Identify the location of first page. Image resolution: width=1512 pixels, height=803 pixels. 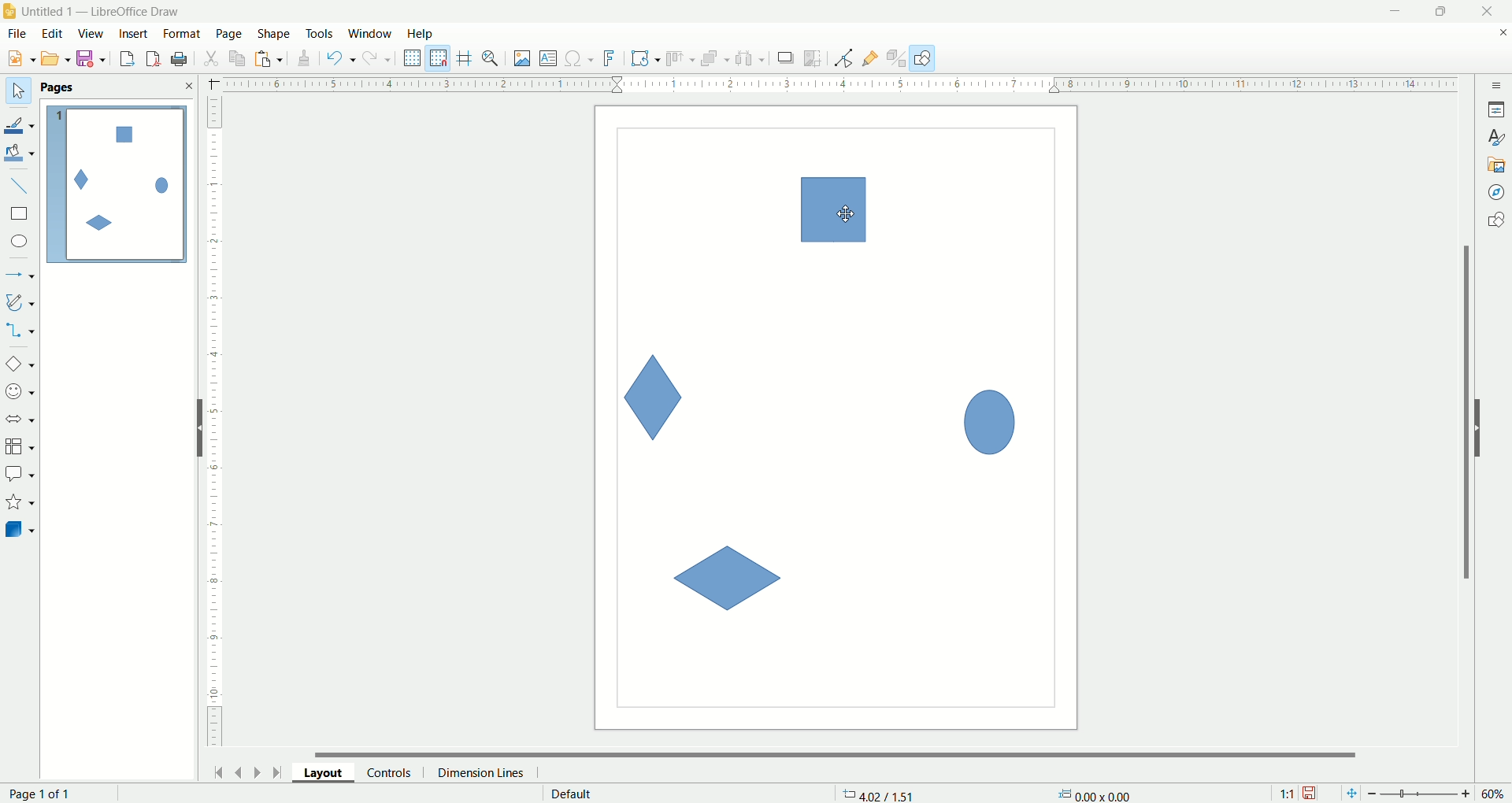
(216, 770).